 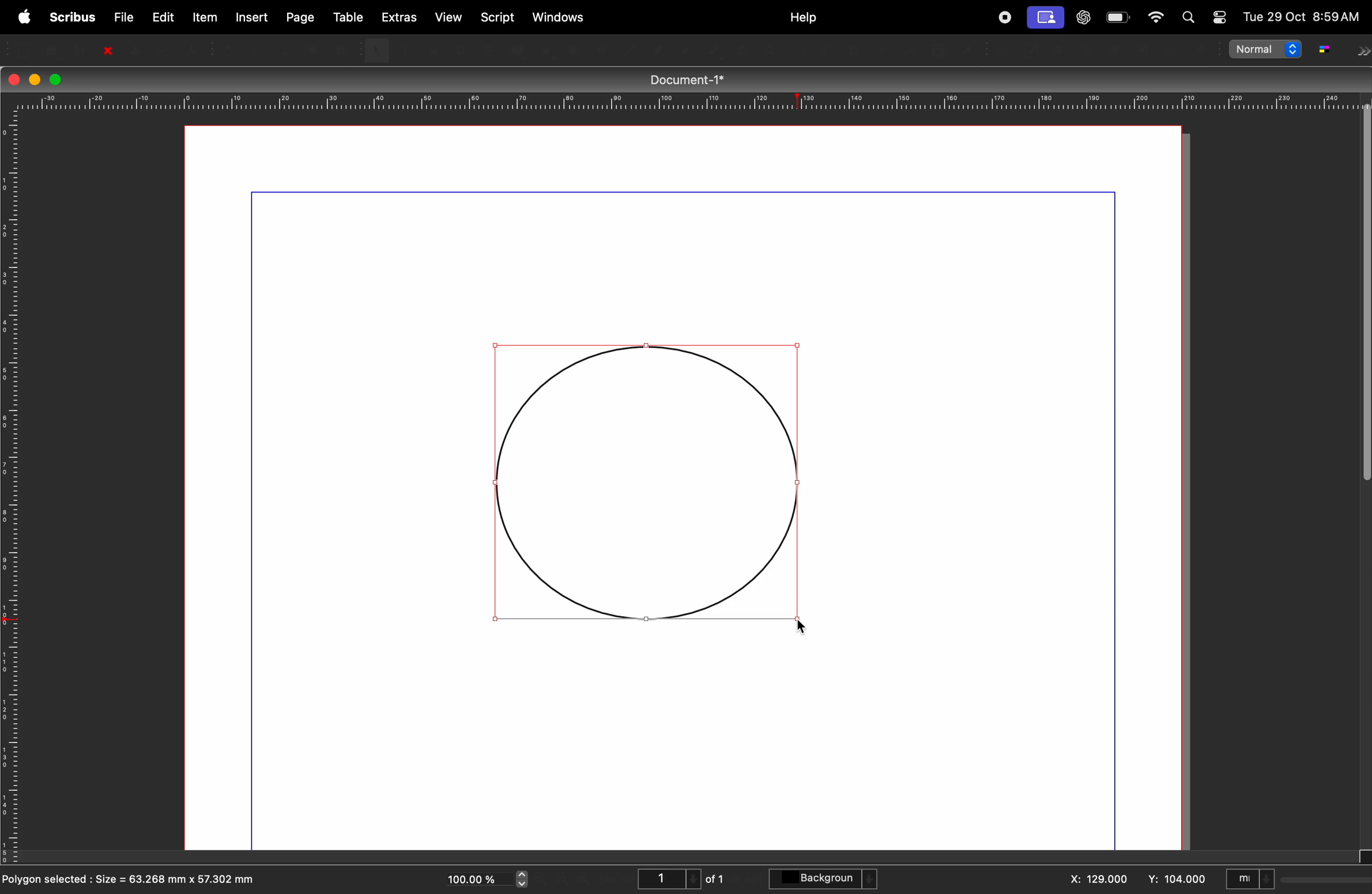 What do you see at coordinates (163, 16) in the screenshot?
I see `edit` at bounding box center [163, 16].